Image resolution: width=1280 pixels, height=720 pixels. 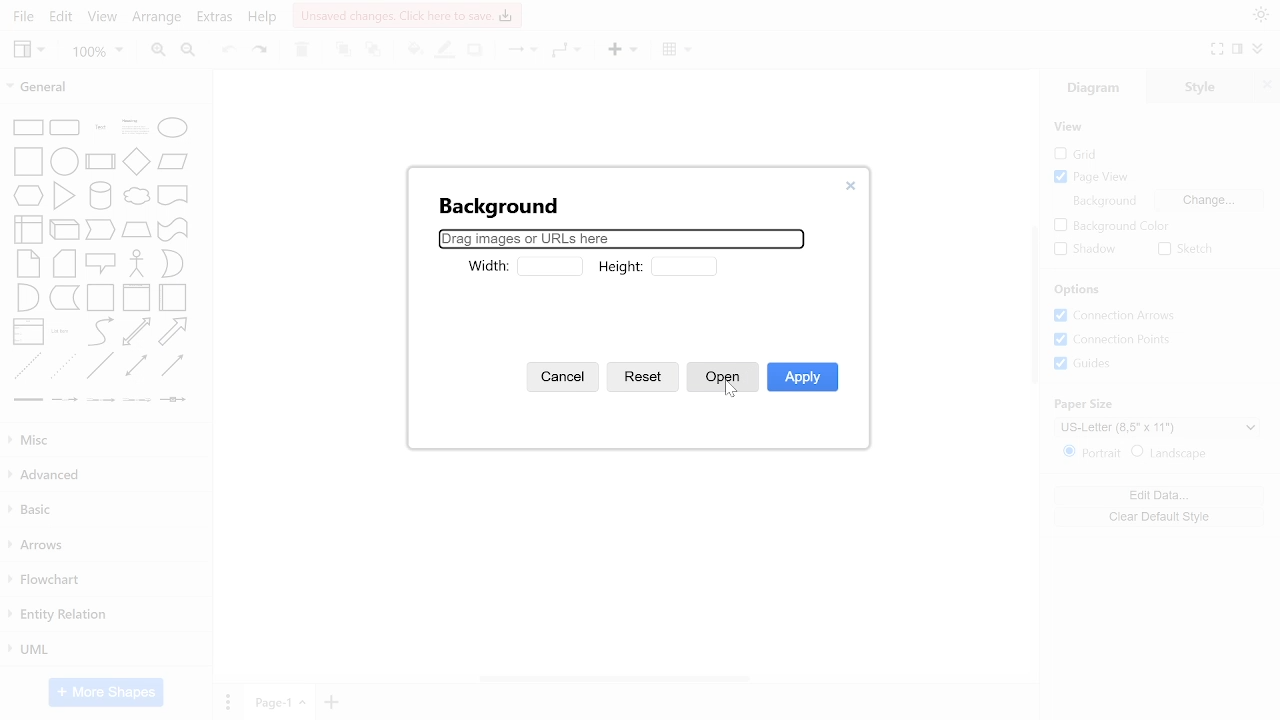 What do you see at coordinates (565, 376) in the screenshot?
I see `cancel` at bounding box center [565, 376].